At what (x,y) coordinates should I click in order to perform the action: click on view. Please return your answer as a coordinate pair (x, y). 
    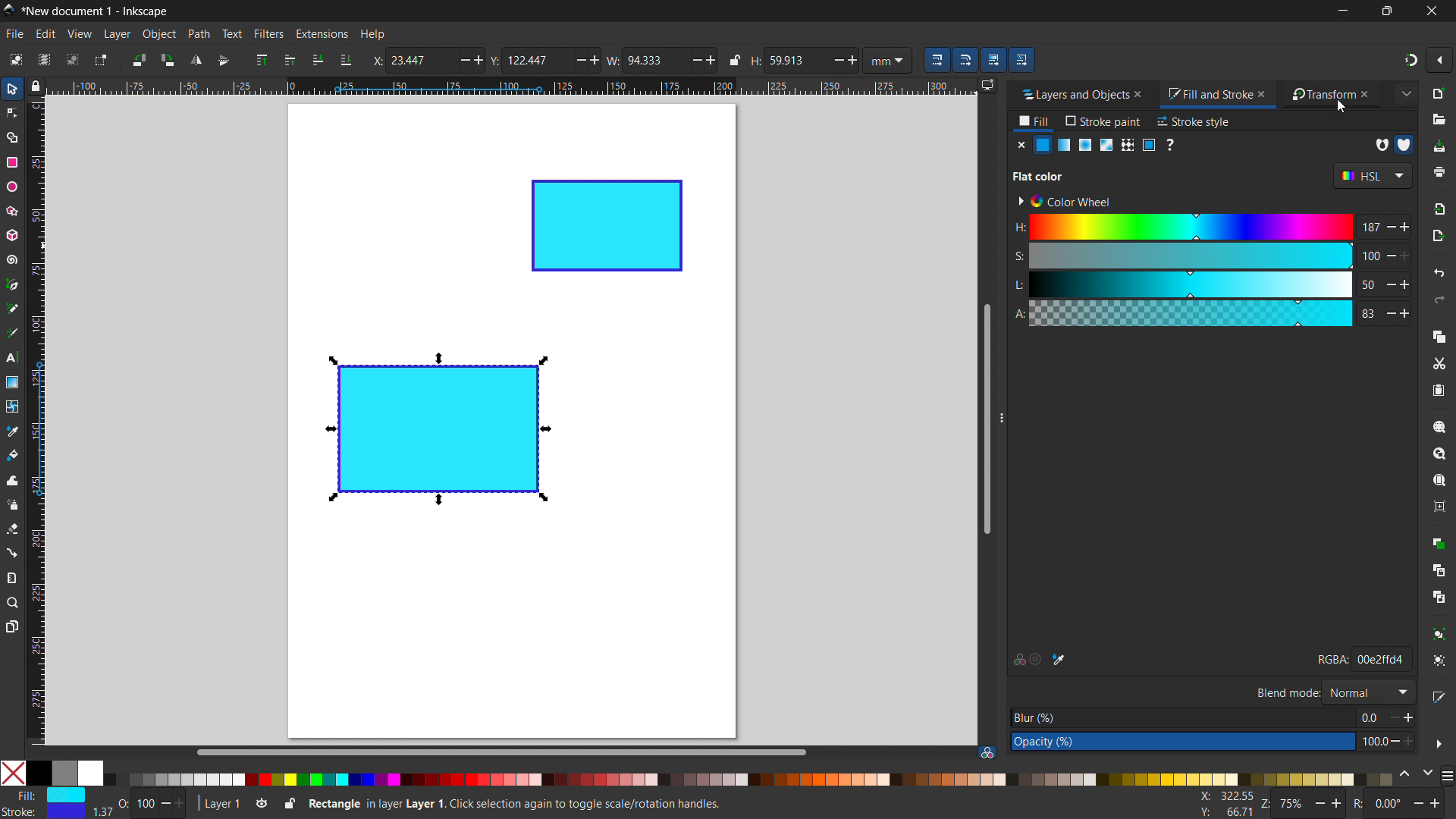
    Looking at the image, I should click on (79, 34).